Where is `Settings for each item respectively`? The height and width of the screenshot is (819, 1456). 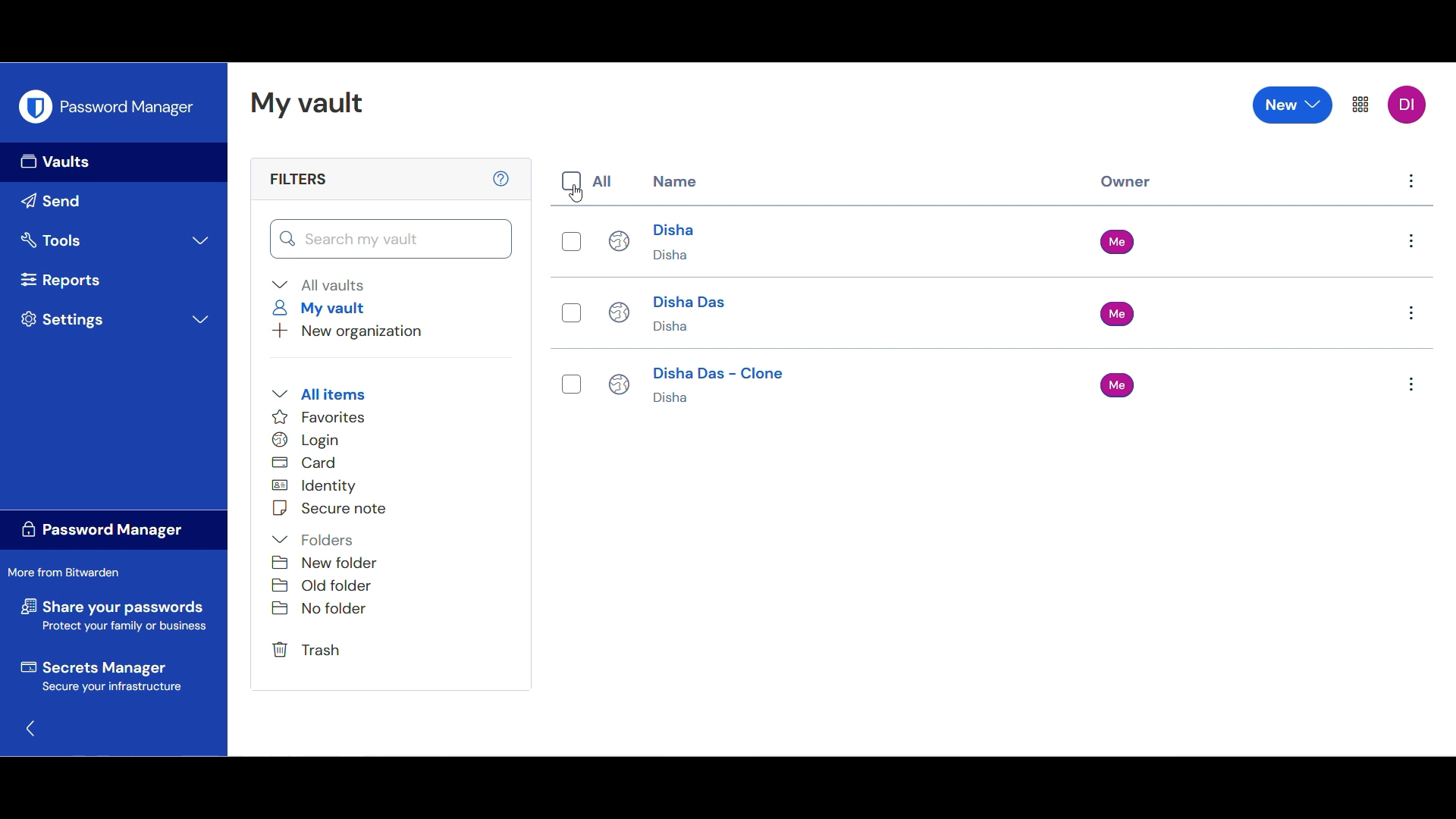
Settings for each item respectively is located at coordinates (1410, 387).